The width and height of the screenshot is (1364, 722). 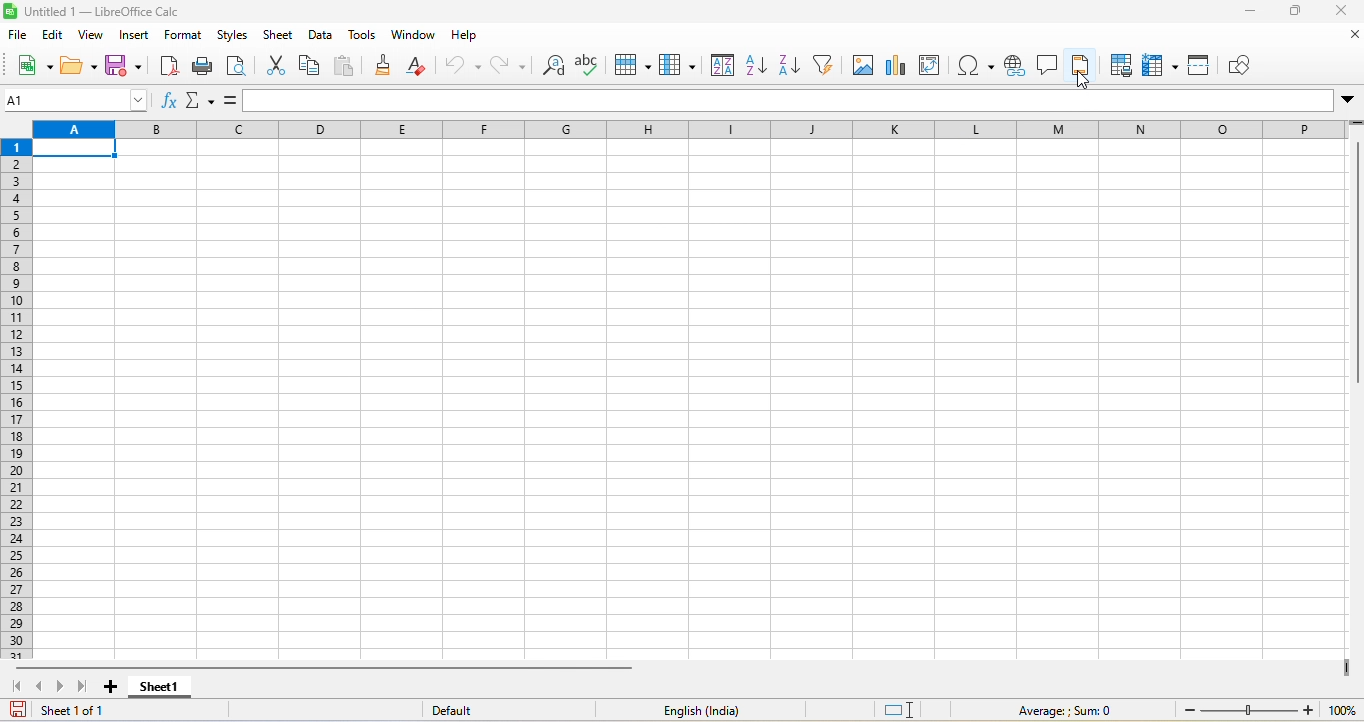 I want to click on cursor, so click(x=1085, y=79).